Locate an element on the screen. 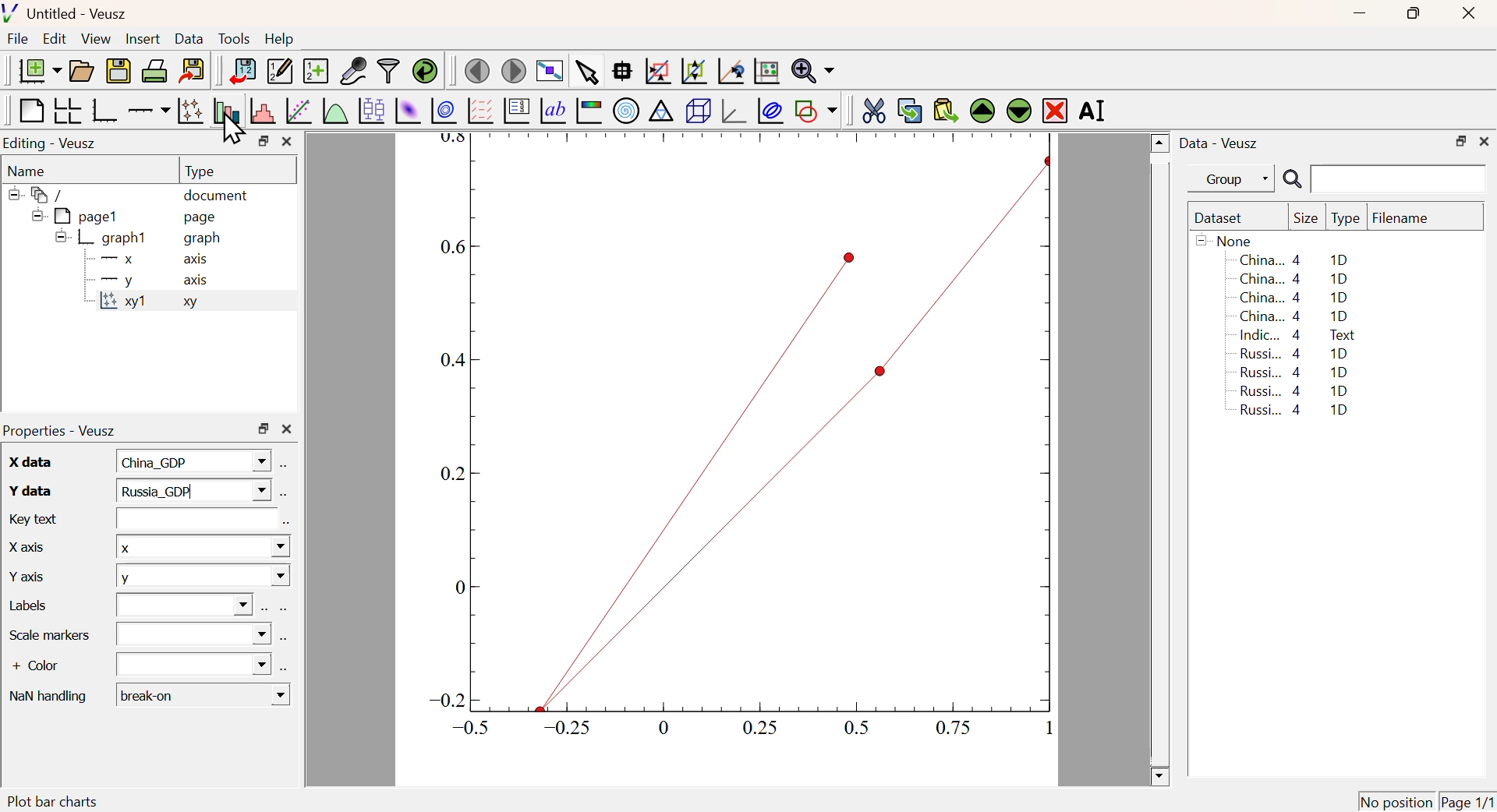 The height and width of the screenshot is (812, 1497). China... 4 1D is located at coordinates (1297, 278).